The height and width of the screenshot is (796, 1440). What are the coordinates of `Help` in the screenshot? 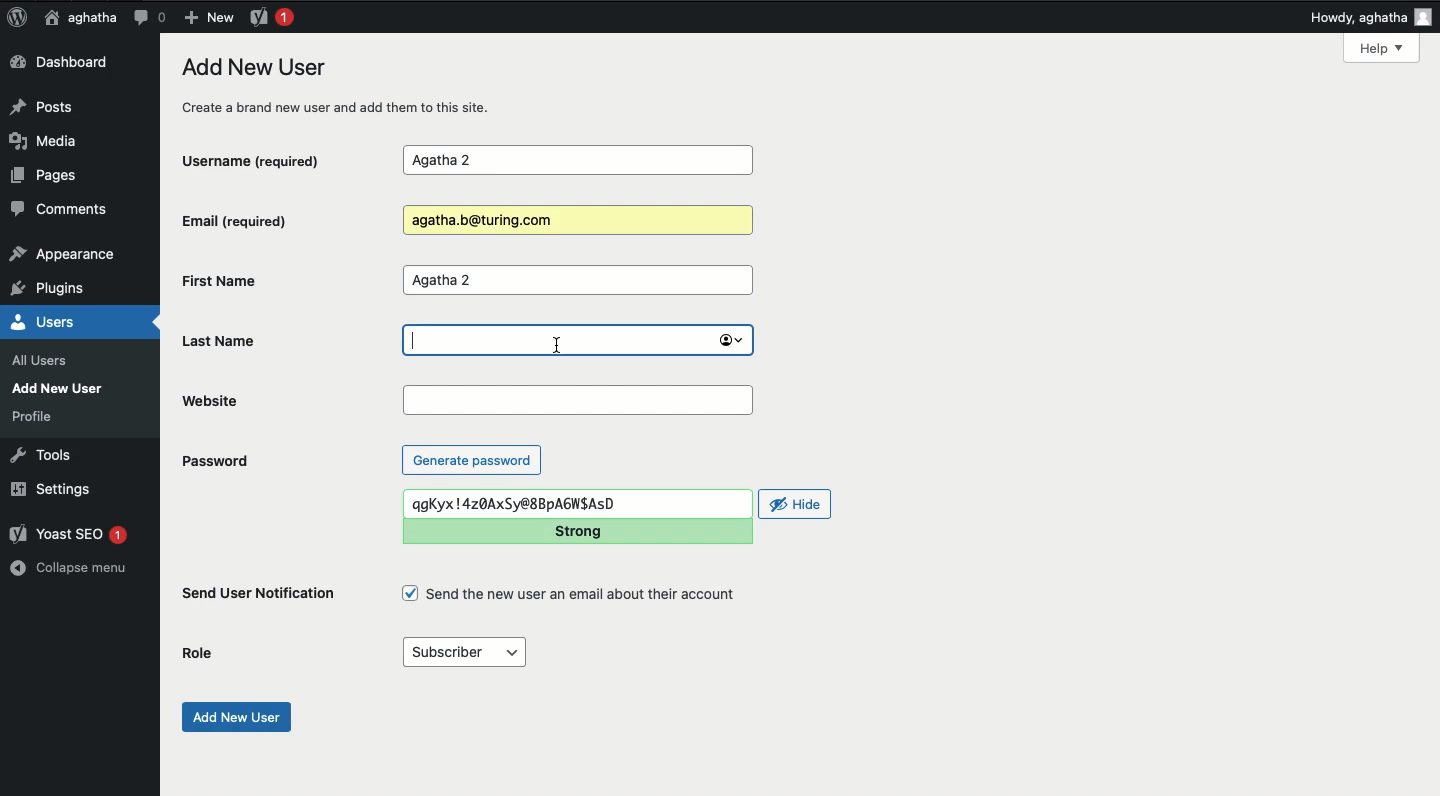 It's located at (1381, 48).